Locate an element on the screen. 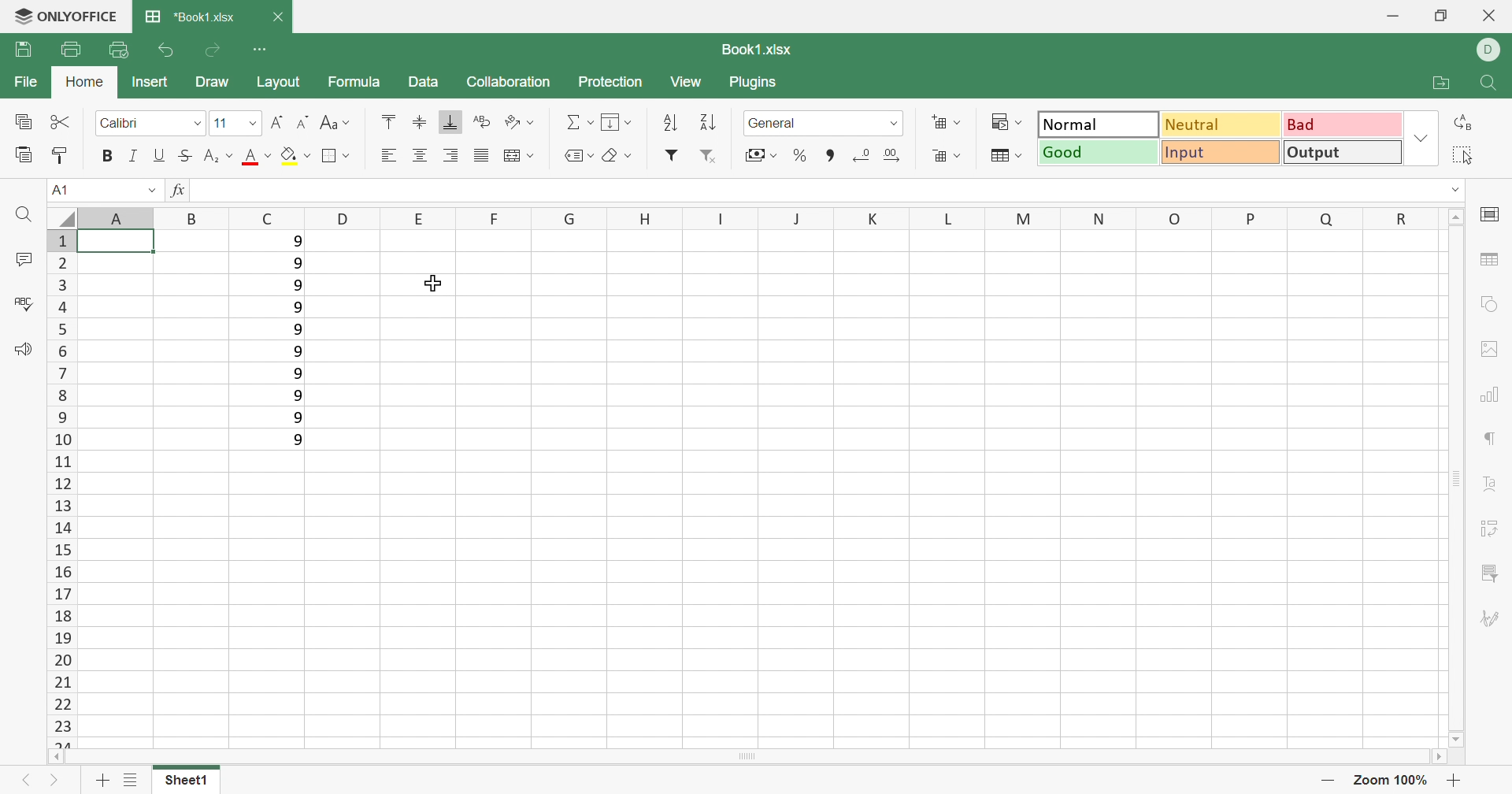 The height and width of the screenshot is (794, 1512). Check Spelling is located at coordinates (22, 301).